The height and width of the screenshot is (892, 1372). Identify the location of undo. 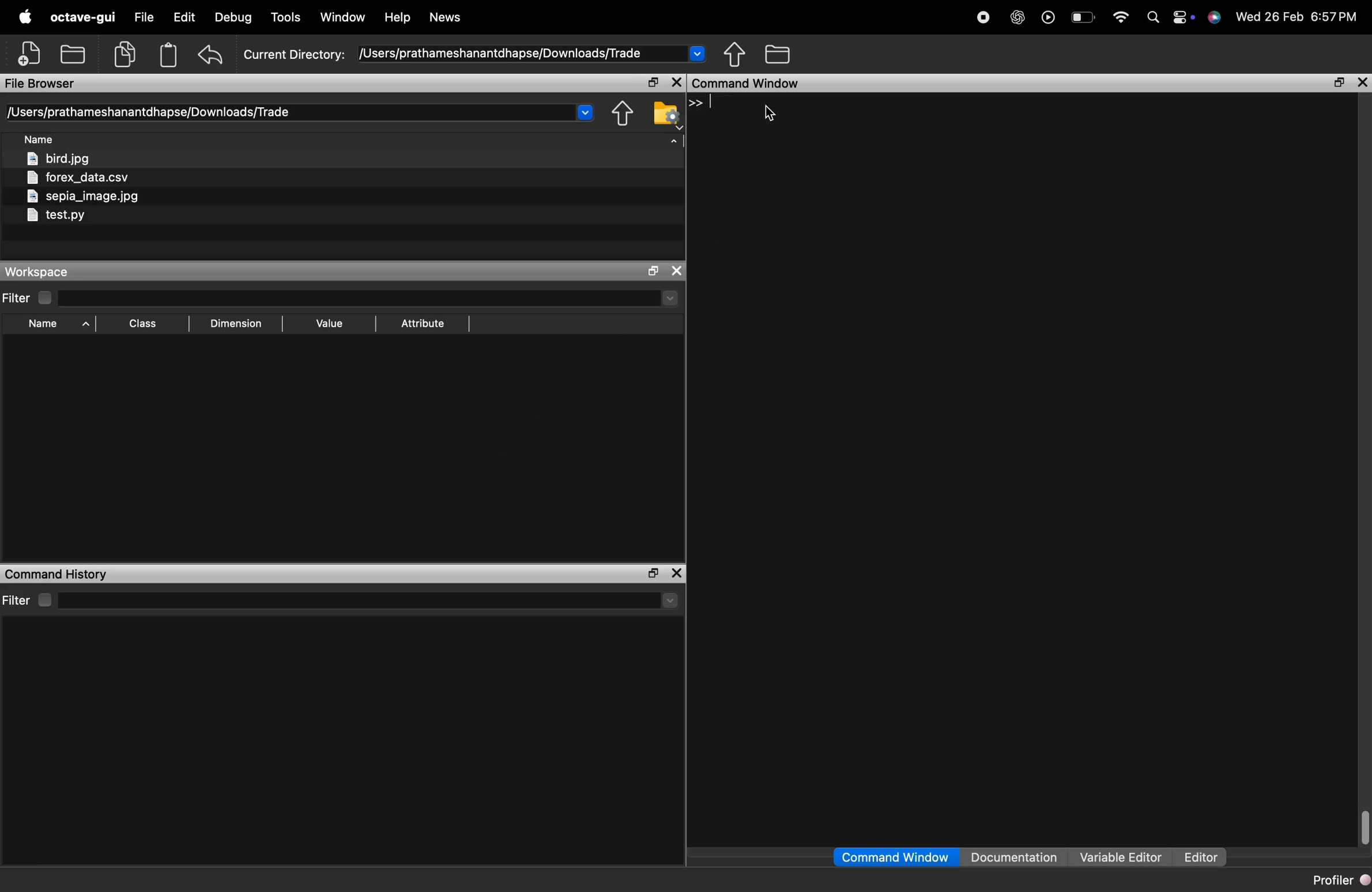
(211, 54).